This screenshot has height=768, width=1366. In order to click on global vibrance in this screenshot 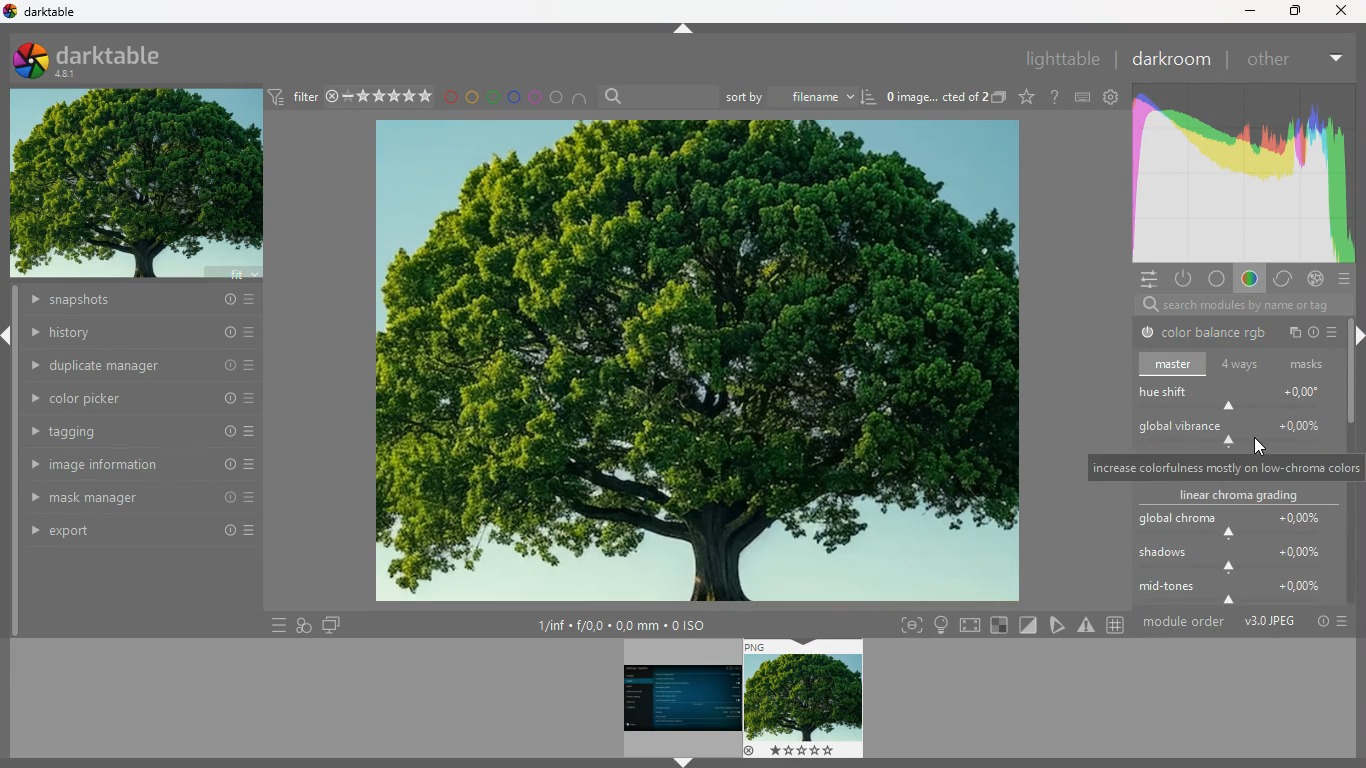, I will do `click(1233, 432)`.